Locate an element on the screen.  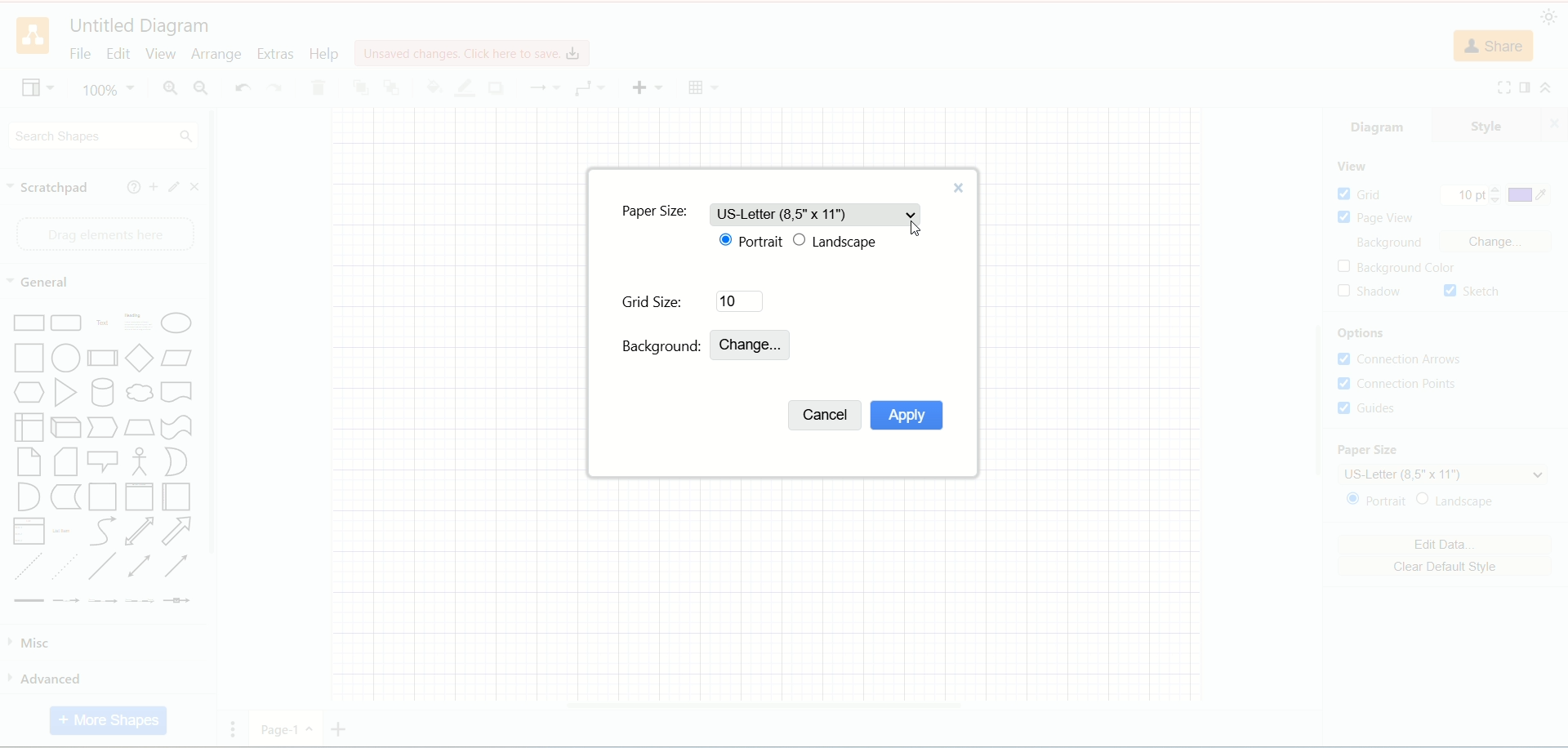
fullscreen is located at coordinates (1503, 87).